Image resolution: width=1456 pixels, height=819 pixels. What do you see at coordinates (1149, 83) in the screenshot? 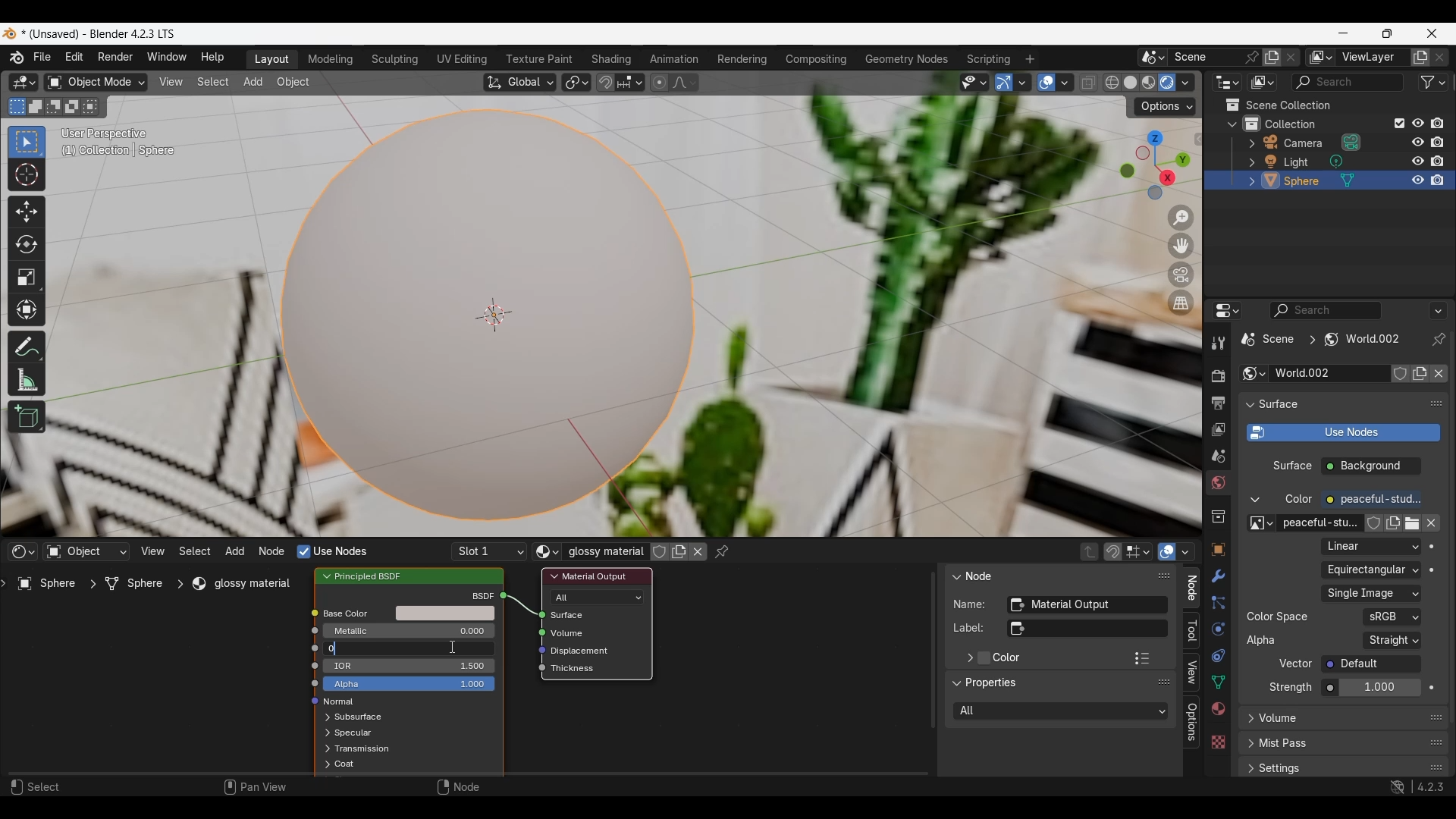
I see `Viewport shading: material preview` at bounding box center [1149, 83].